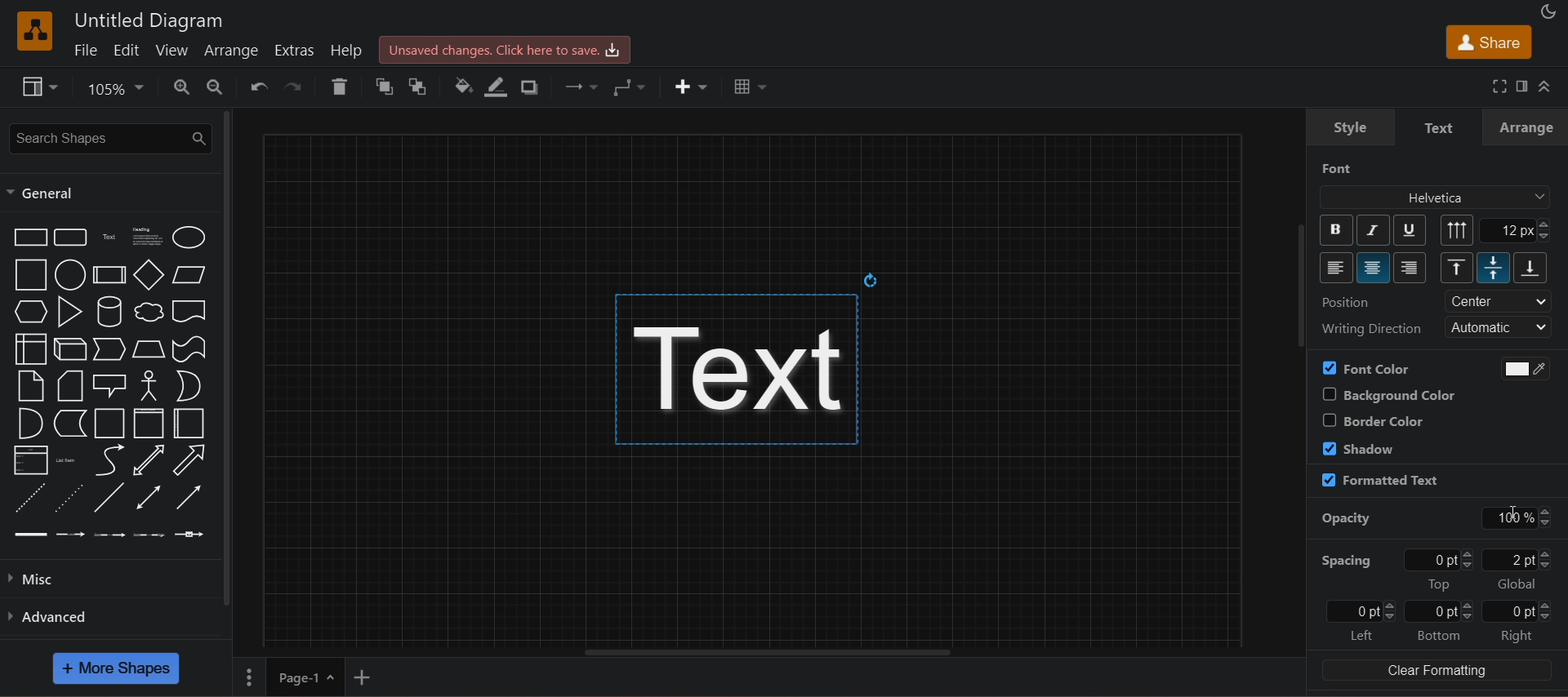  What do you see at coordinates (1410, 268) in the screenshot?
I see `right` at bounding box center [1410, 268].